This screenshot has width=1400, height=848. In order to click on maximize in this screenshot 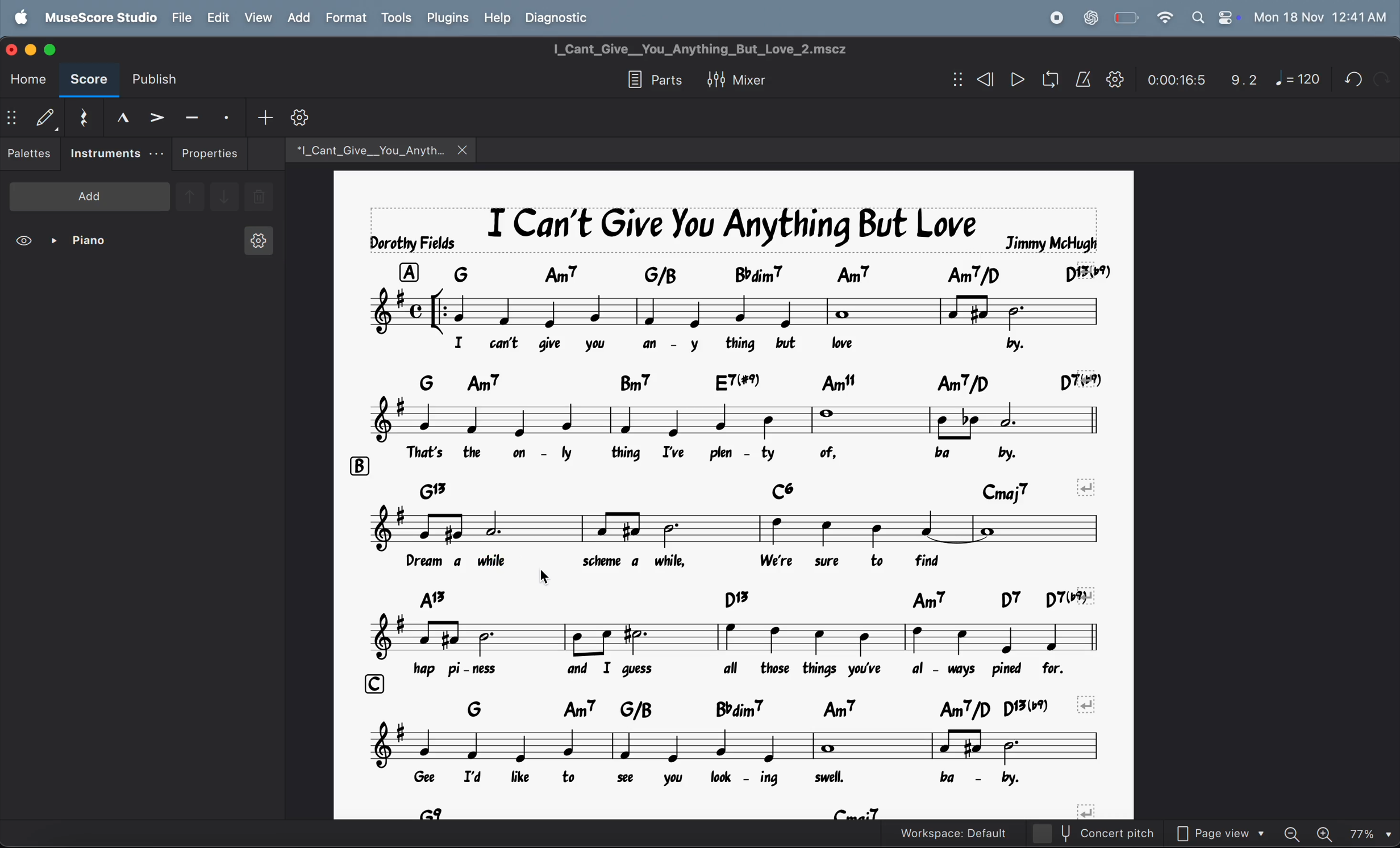, I will do `click(56, 49)`.